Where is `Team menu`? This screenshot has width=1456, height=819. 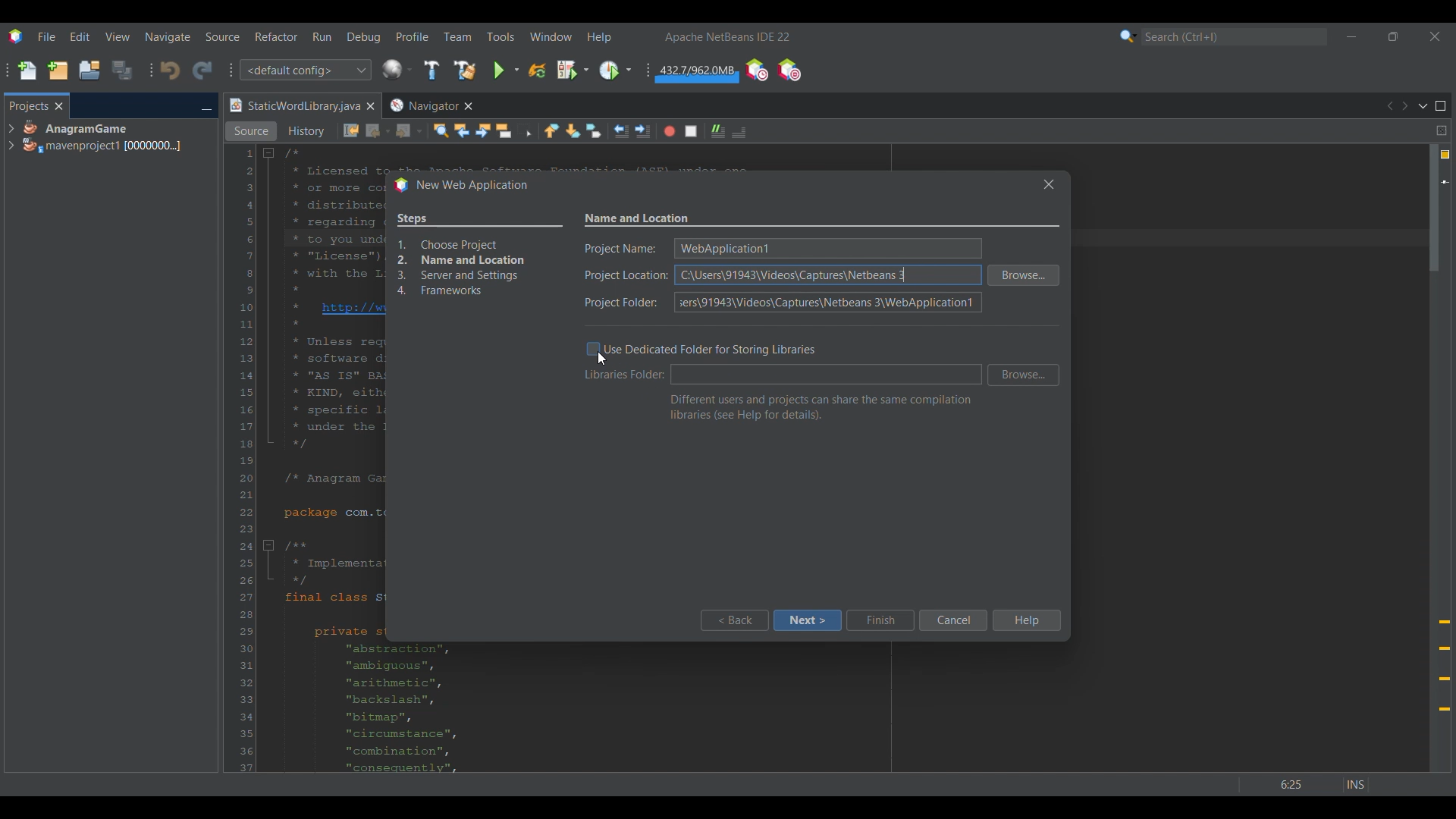 Team menu is located at coordinates (457, 36).